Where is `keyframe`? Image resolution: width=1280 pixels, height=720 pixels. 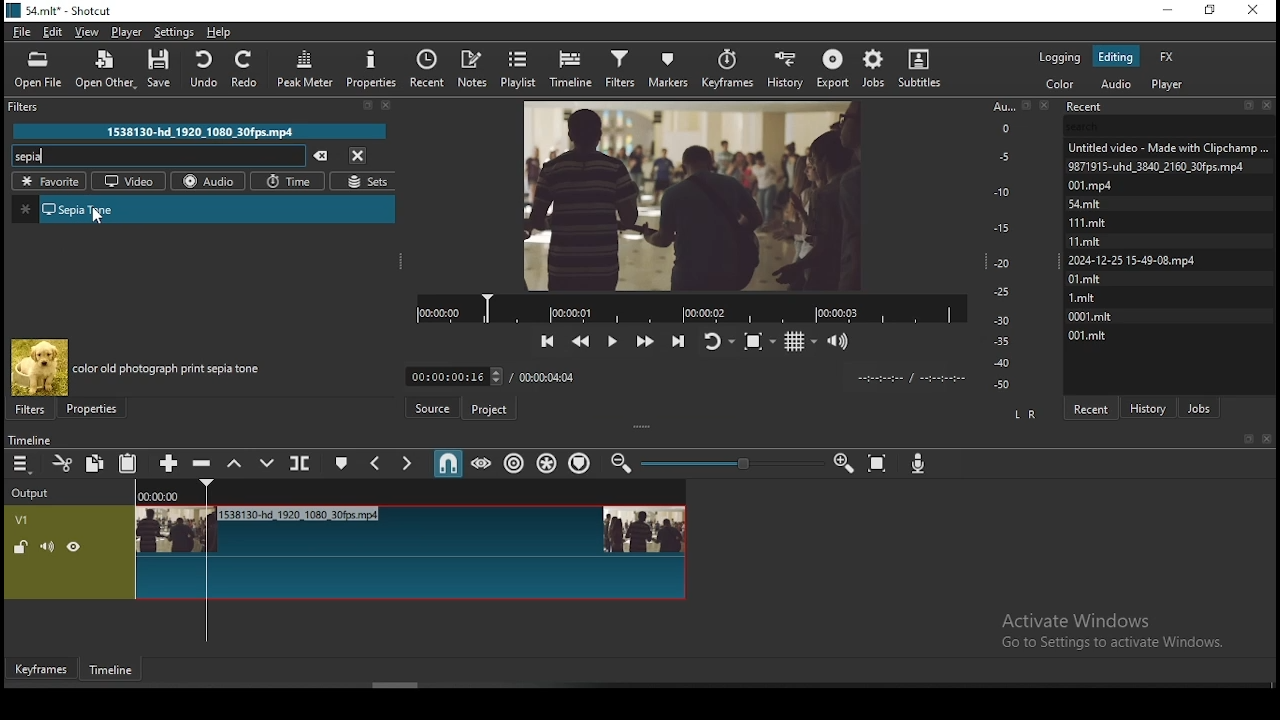 keyframe is located at coordinates (42, 670).